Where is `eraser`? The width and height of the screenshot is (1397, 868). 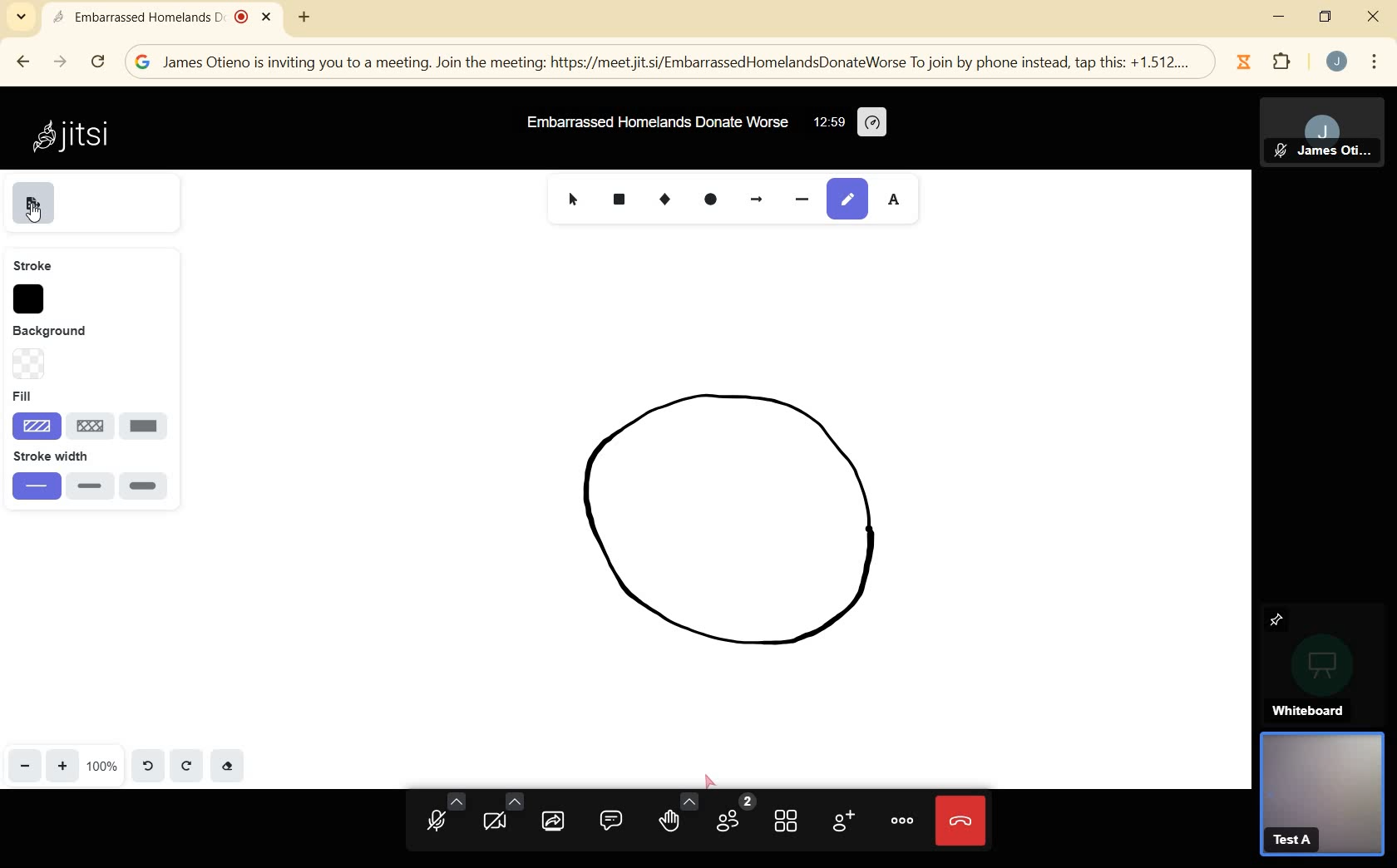
eraser is located at coordinates (230, 768).